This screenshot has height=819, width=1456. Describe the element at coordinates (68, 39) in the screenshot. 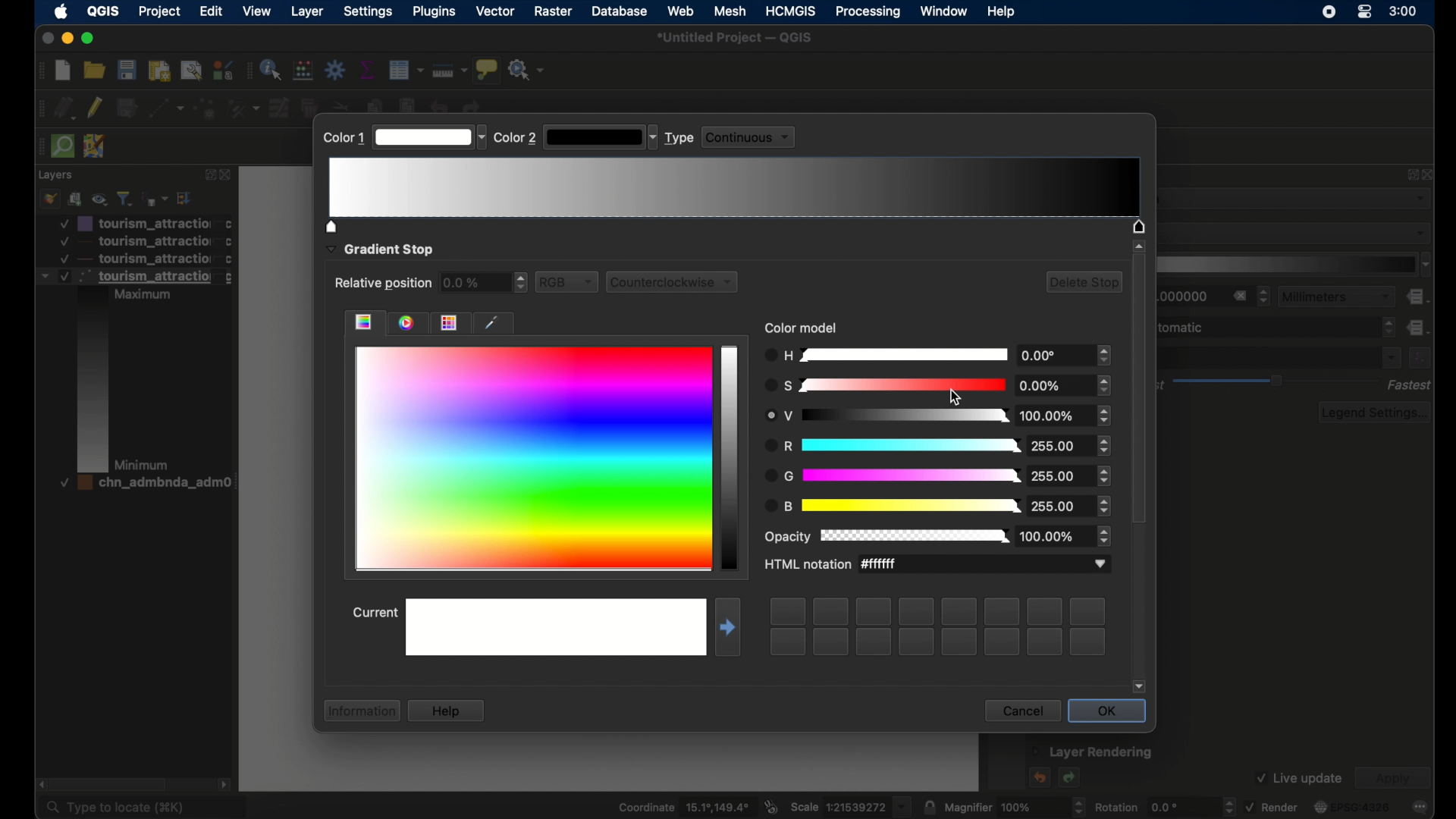

I see `minimize` at that location.